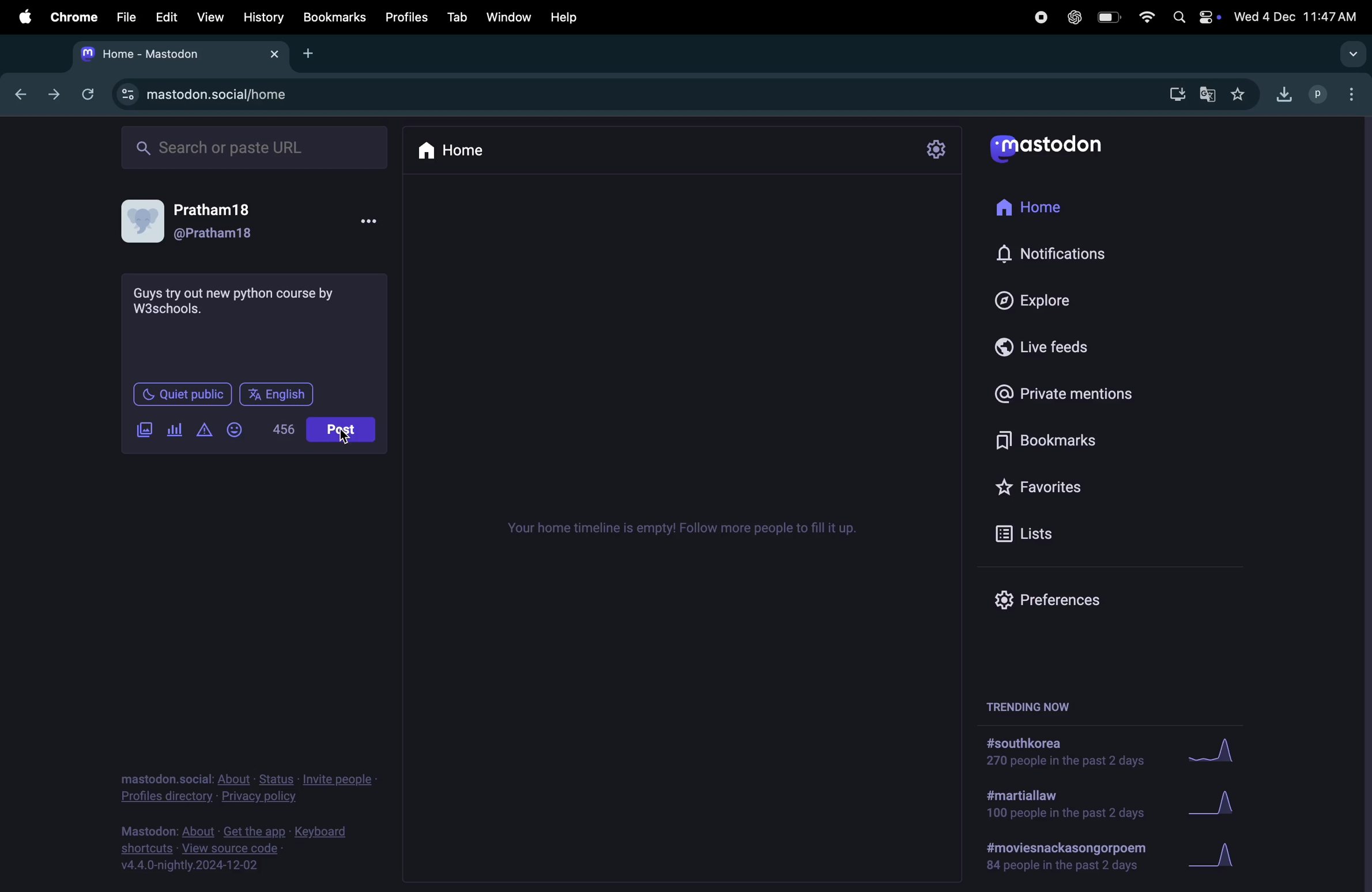  I want to click on backward, so click(24, 92).